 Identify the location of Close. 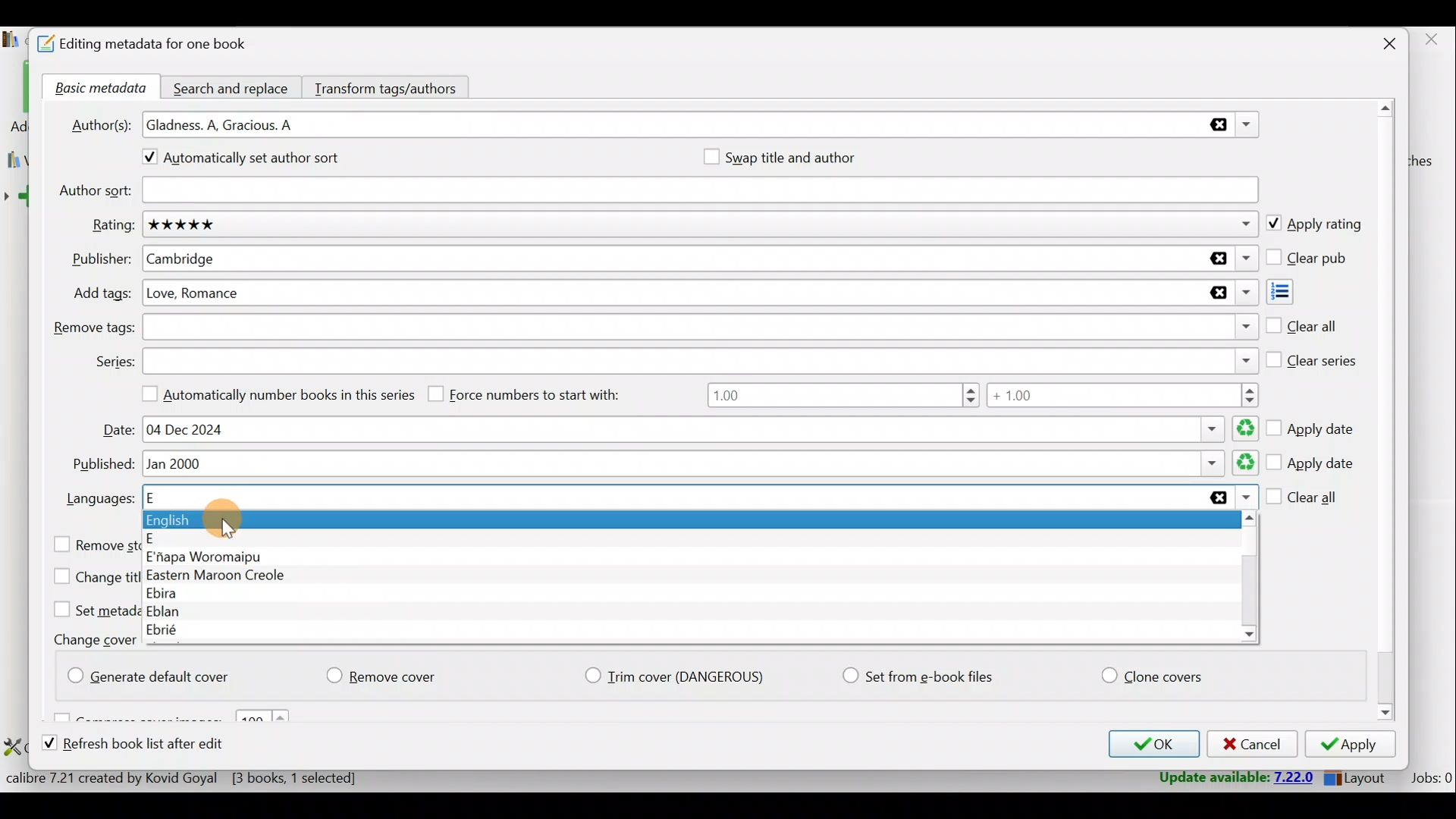
(1382, 45).